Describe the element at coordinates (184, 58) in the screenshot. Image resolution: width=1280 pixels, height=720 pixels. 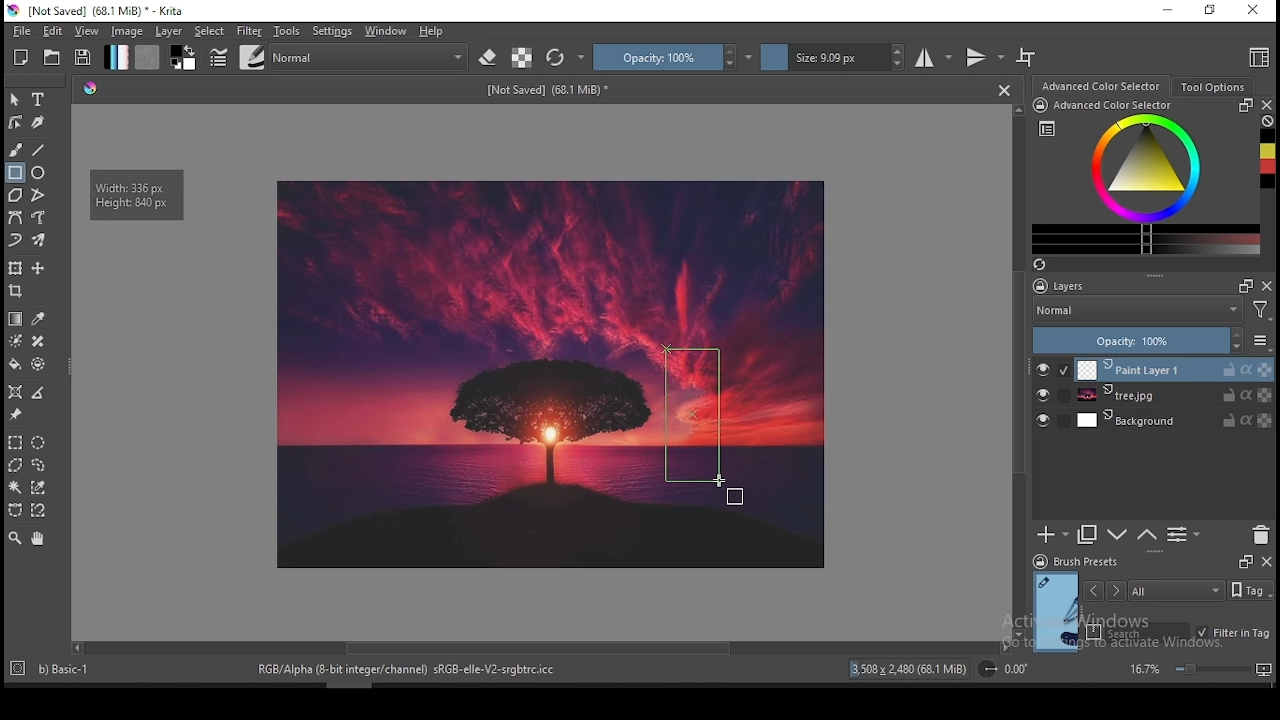
I see `colors` at that location.